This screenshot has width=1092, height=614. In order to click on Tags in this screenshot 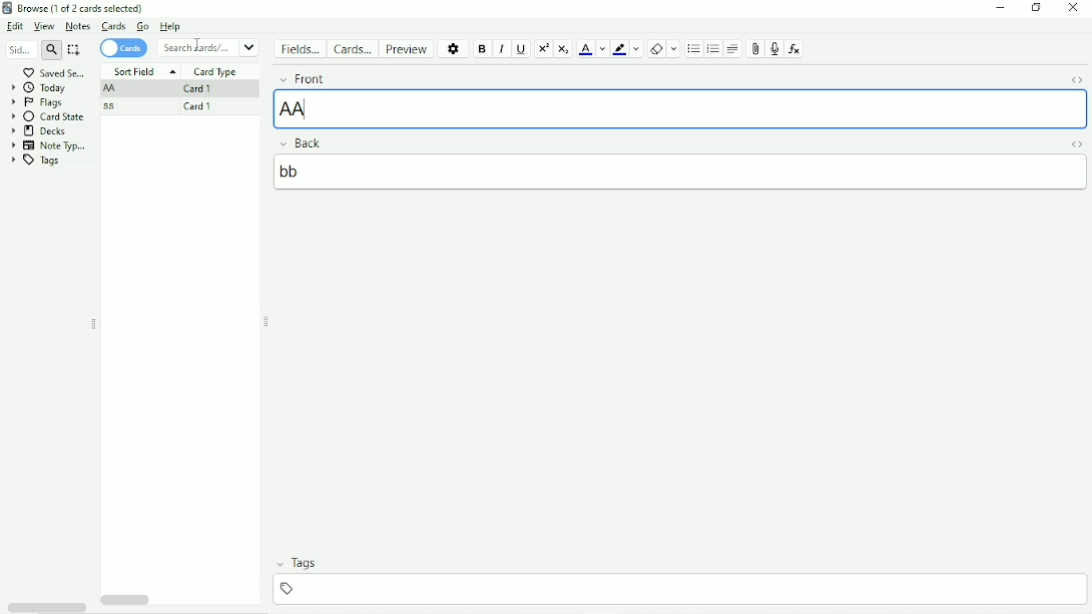, I will do `click(679, 564)`.